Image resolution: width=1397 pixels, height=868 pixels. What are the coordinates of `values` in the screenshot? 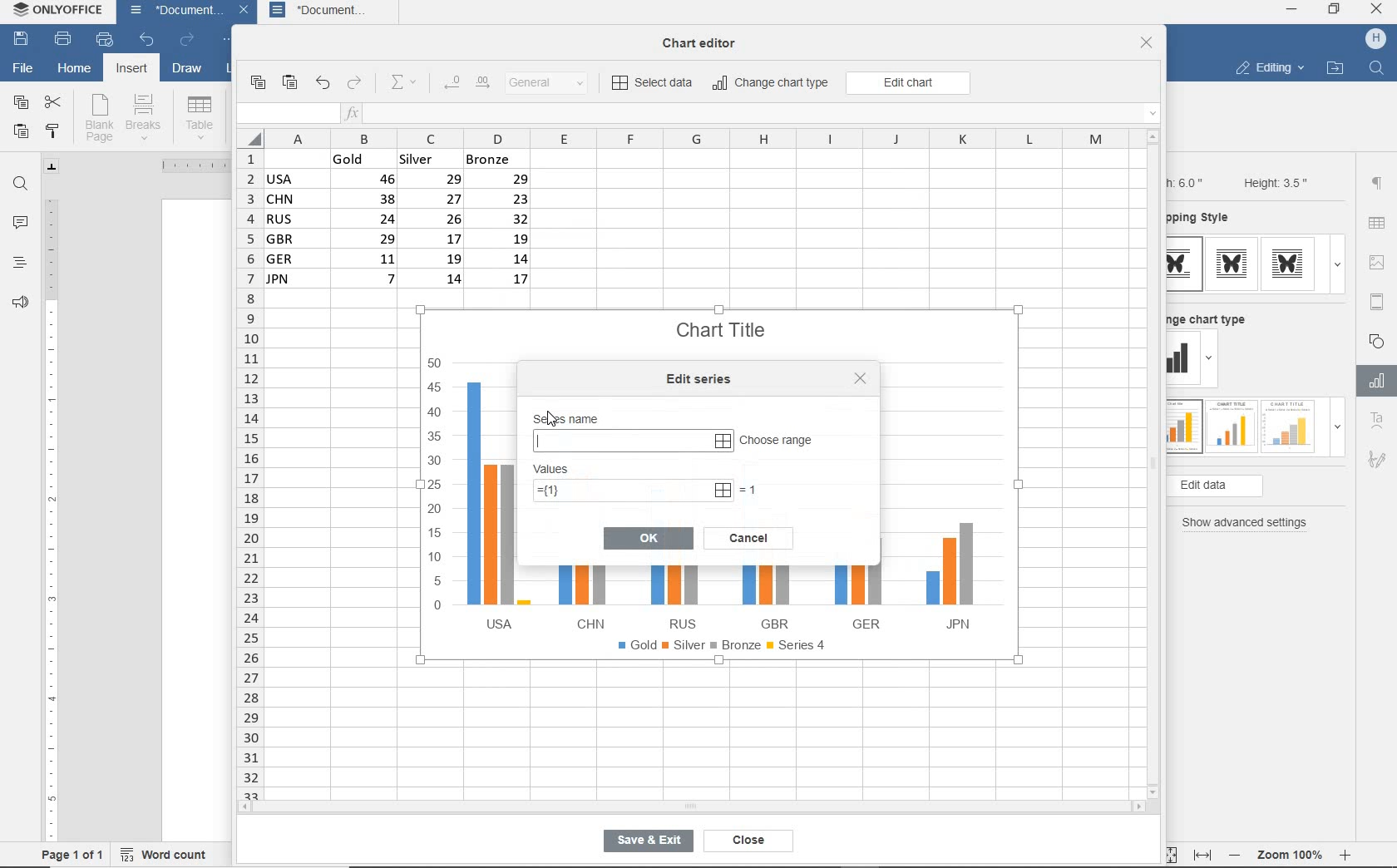 It's located at (568, 470).